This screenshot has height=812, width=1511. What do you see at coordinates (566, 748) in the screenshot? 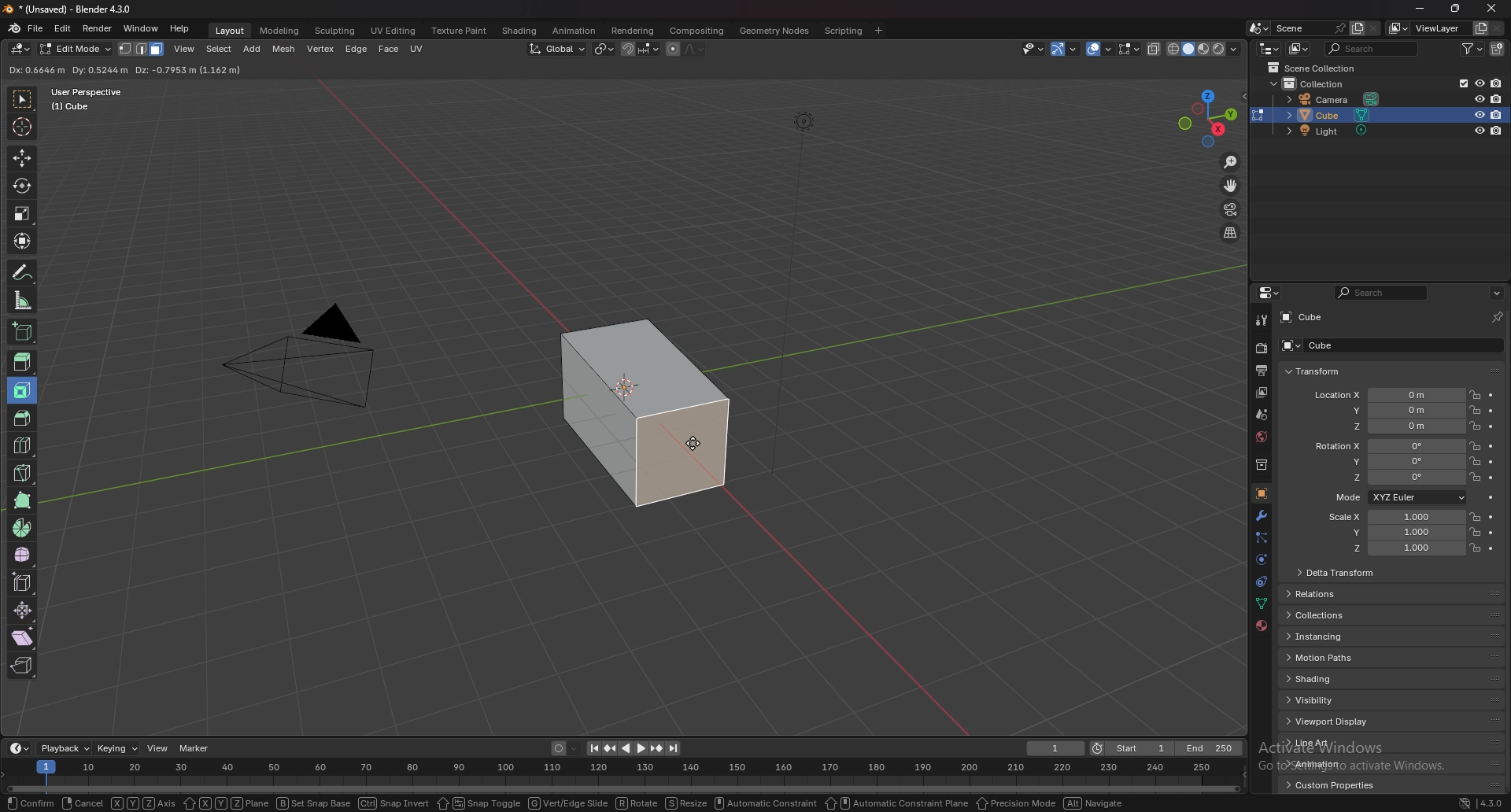
I see `auto keying` at bounding box center [566, 748].